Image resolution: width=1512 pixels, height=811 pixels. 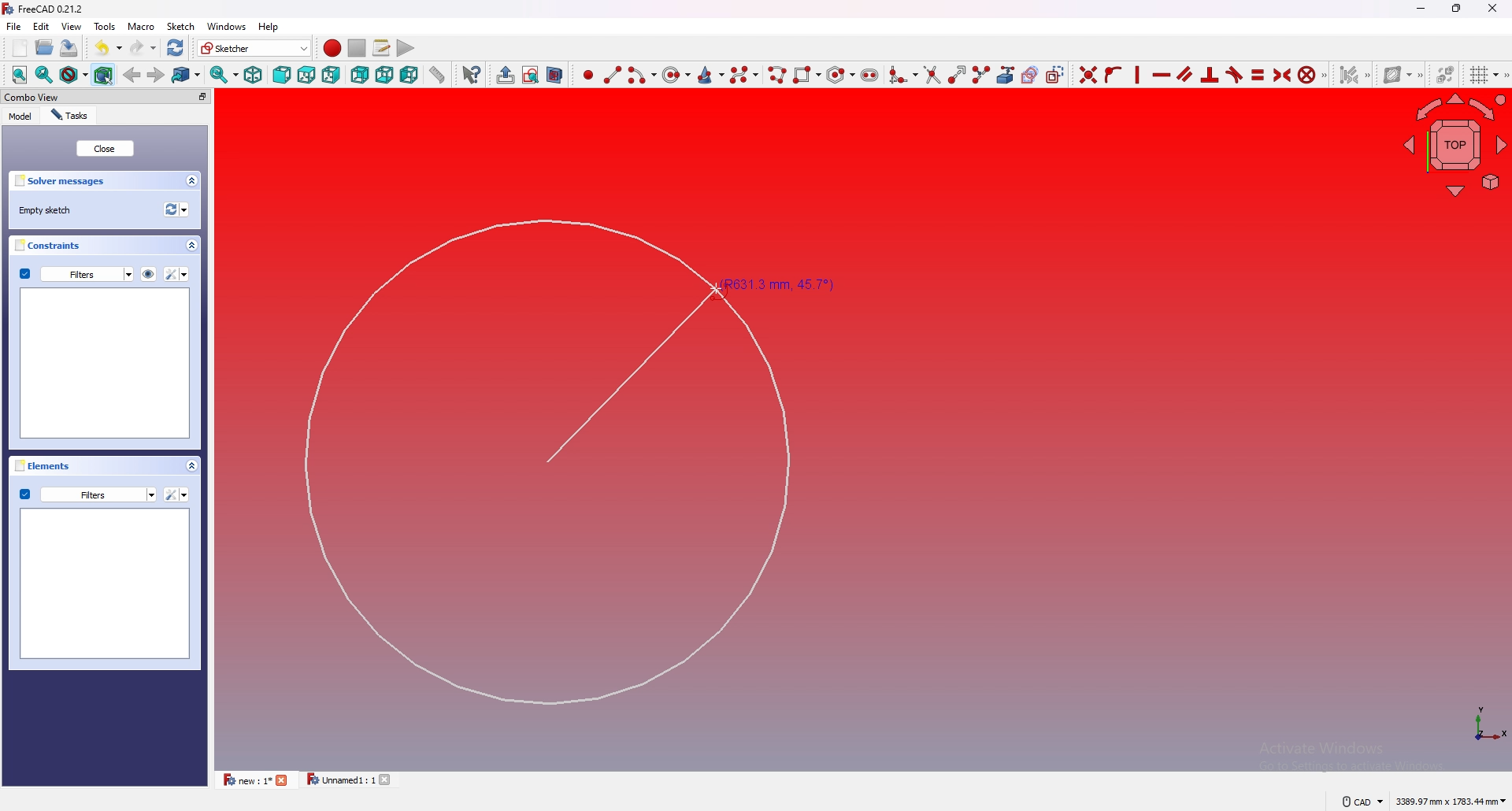 What do you see at coordinates (1162, 74) in the screenshot?
I see `constraint horizontally` at bounding box center [1162, 74].